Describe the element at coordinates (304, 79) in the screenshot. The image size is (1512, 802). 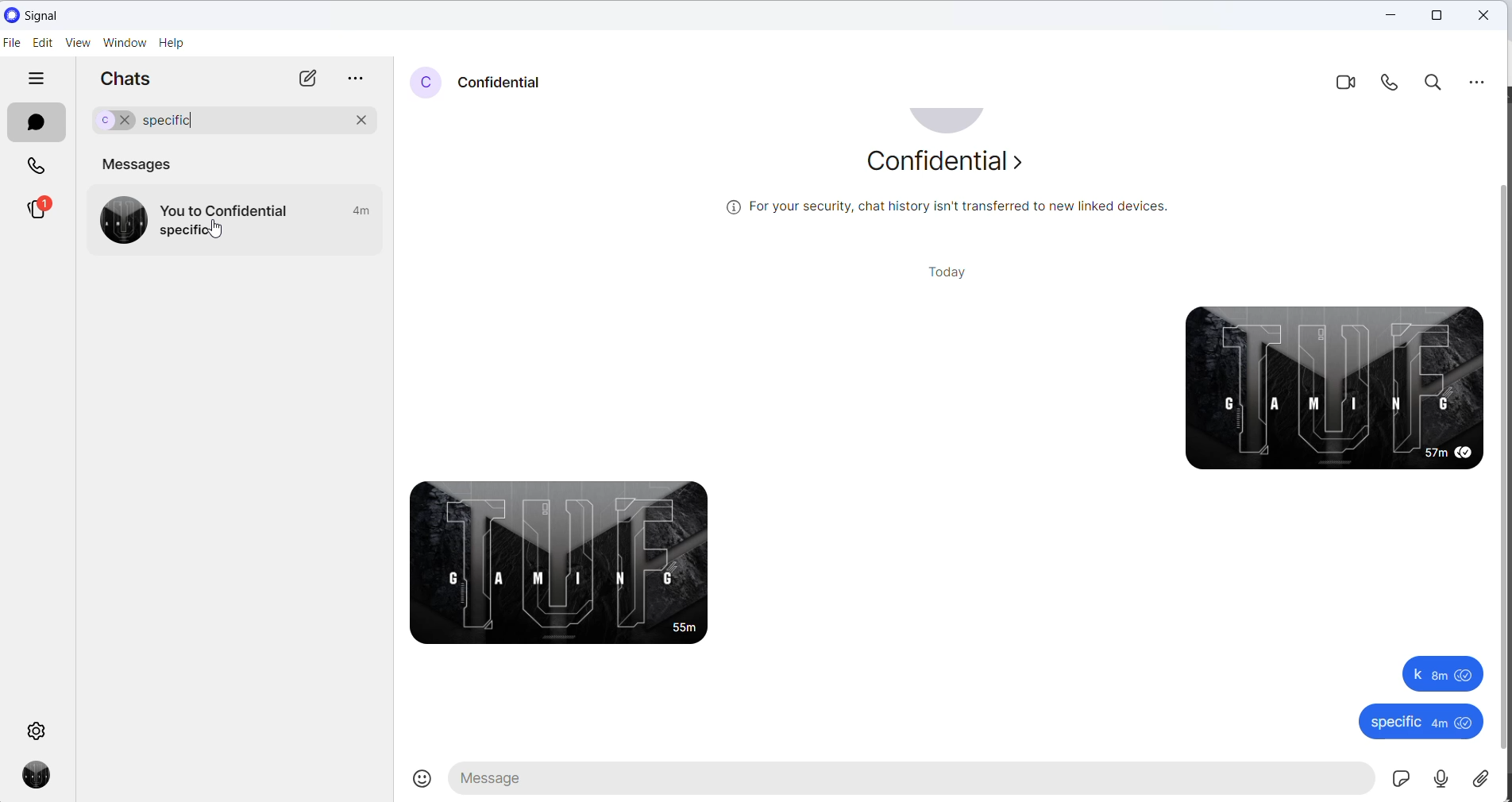
I see `new chats` at that location.